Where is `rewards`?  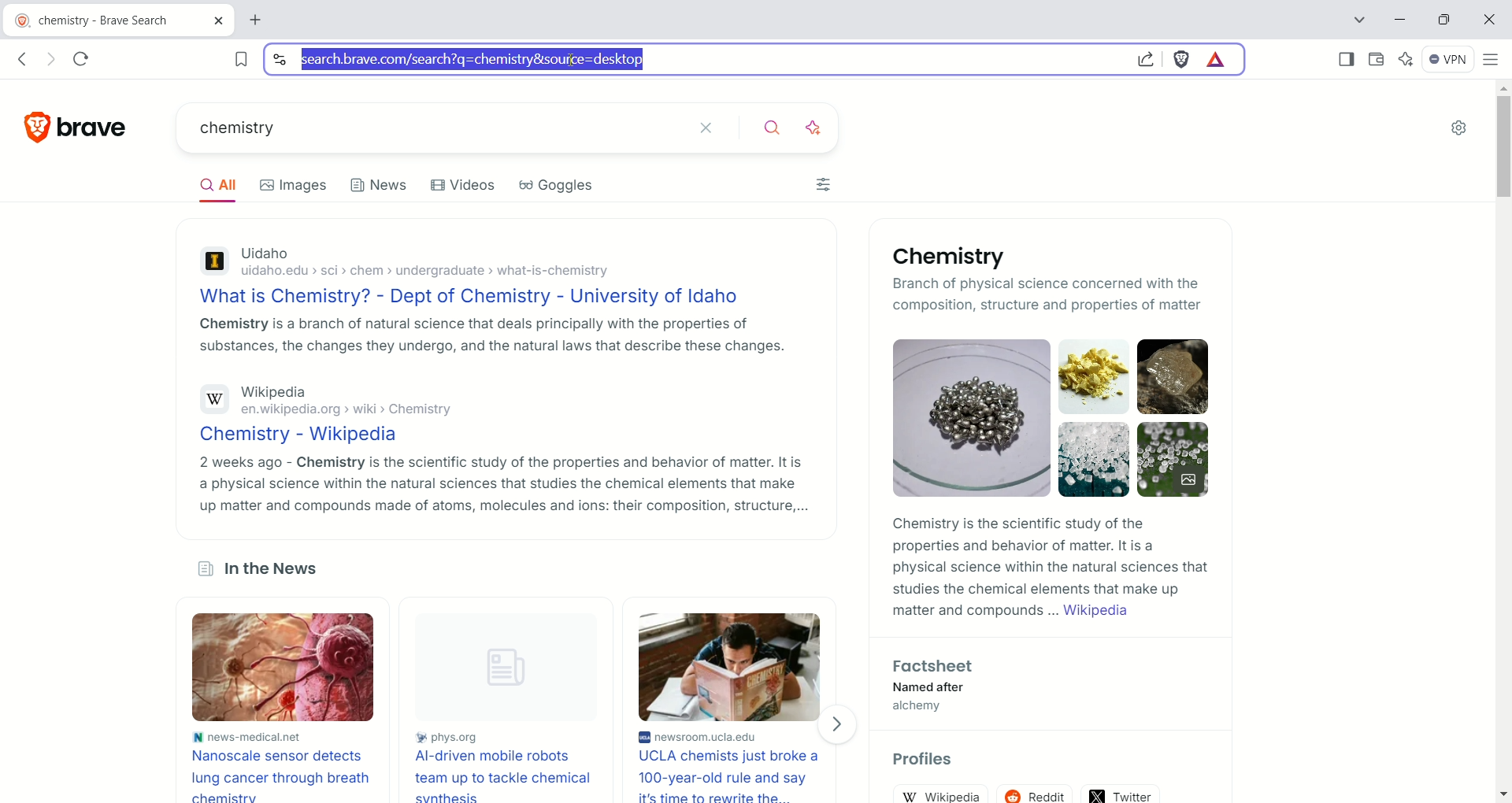 rewards is located at coordinates (1218, 60).